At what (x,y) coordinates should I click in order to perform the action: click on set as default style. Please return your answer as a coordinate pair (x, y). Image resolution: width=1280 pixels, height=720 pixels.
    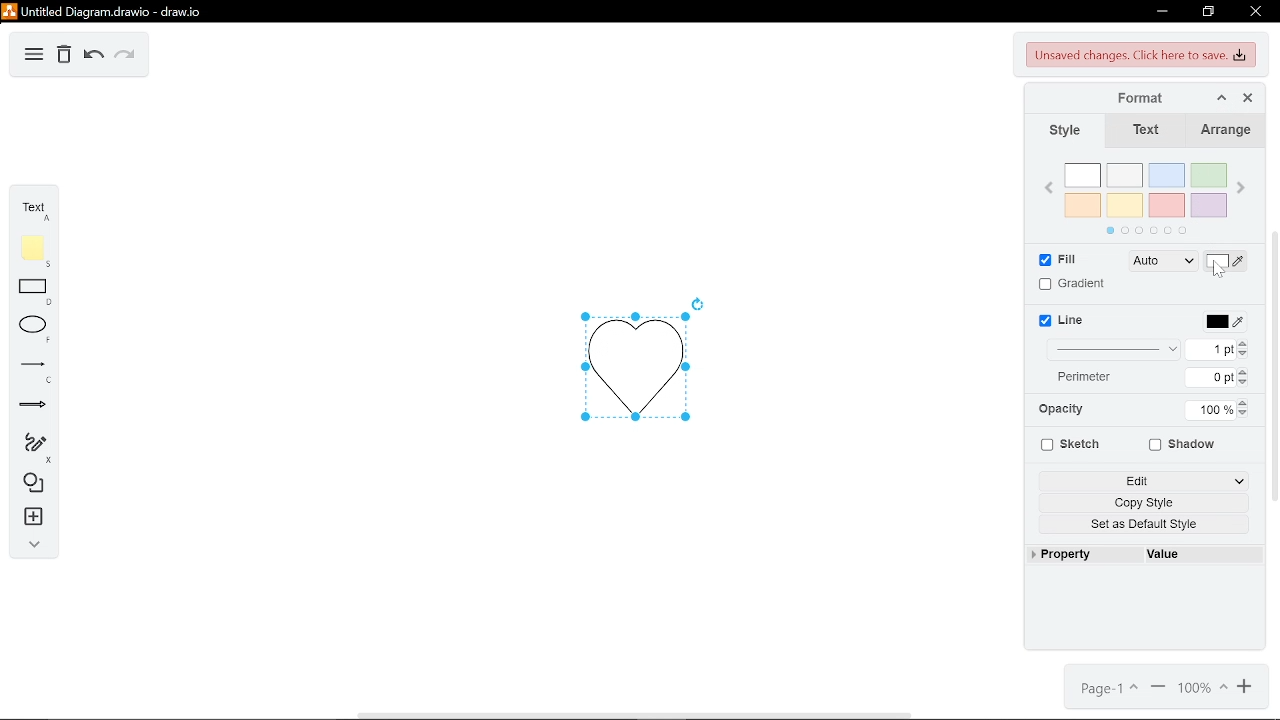
    Looking at the image, I should click on (1150, 525).